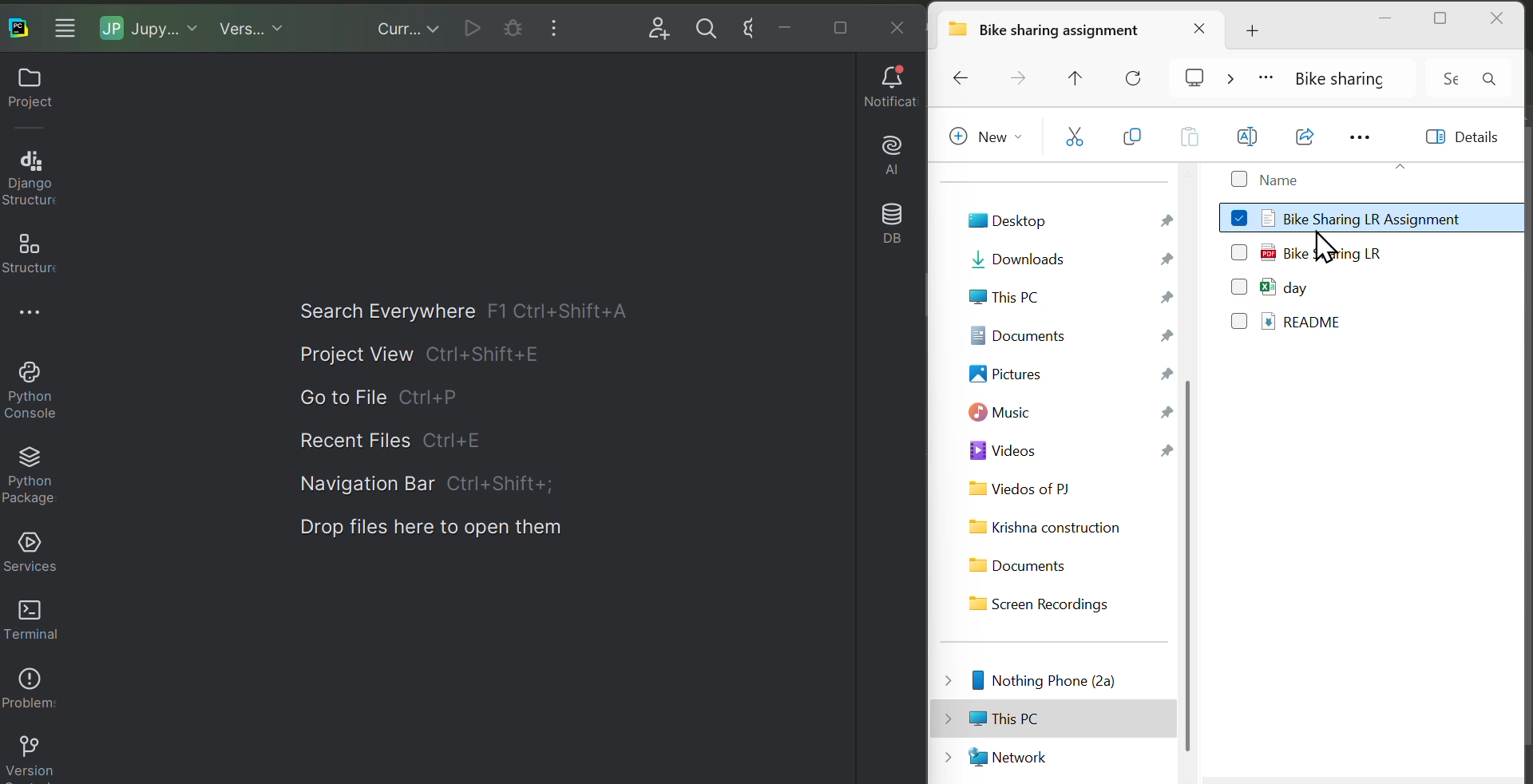 Image resolution: width=1533 pixels, height=784 pixels. Describe the element at coordinates (515, 23) in the screenshot. I see `Current cell` at that location.